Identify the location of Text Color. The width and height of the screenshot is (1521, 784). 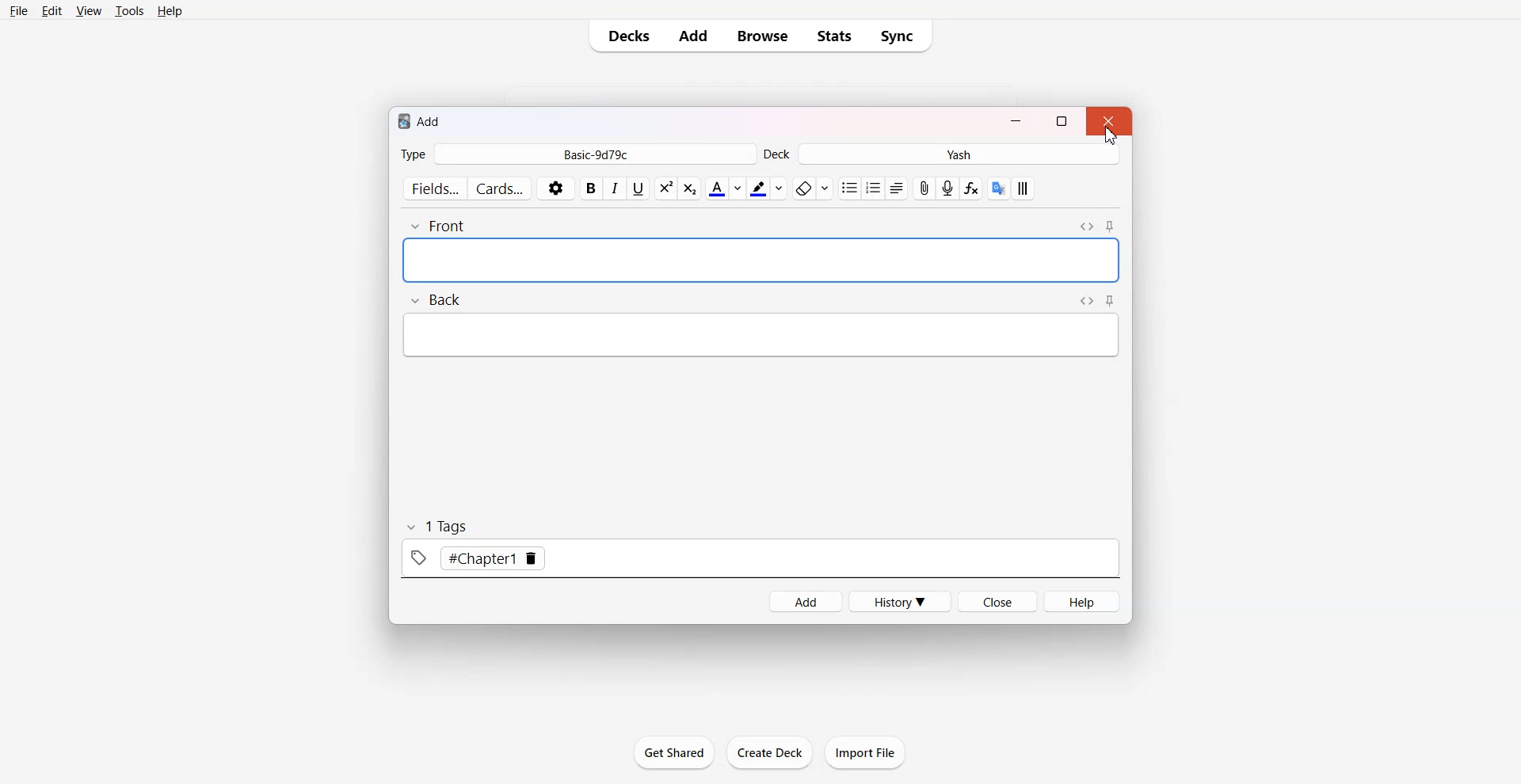
(724, 188).